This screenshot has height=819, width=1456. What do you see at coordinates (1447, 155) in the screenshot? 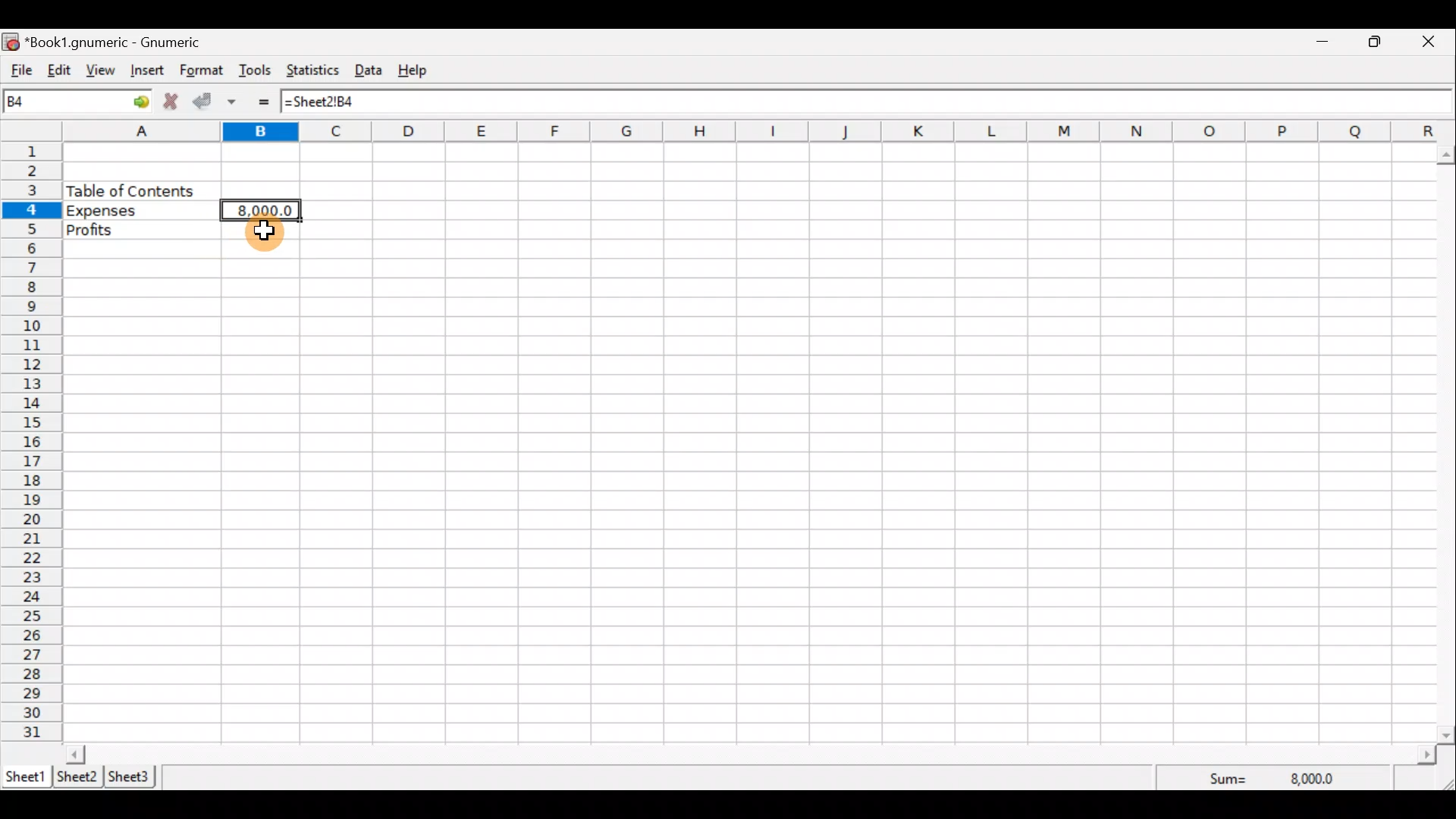
I see `scroll up` at bounding box center [1447, 155].